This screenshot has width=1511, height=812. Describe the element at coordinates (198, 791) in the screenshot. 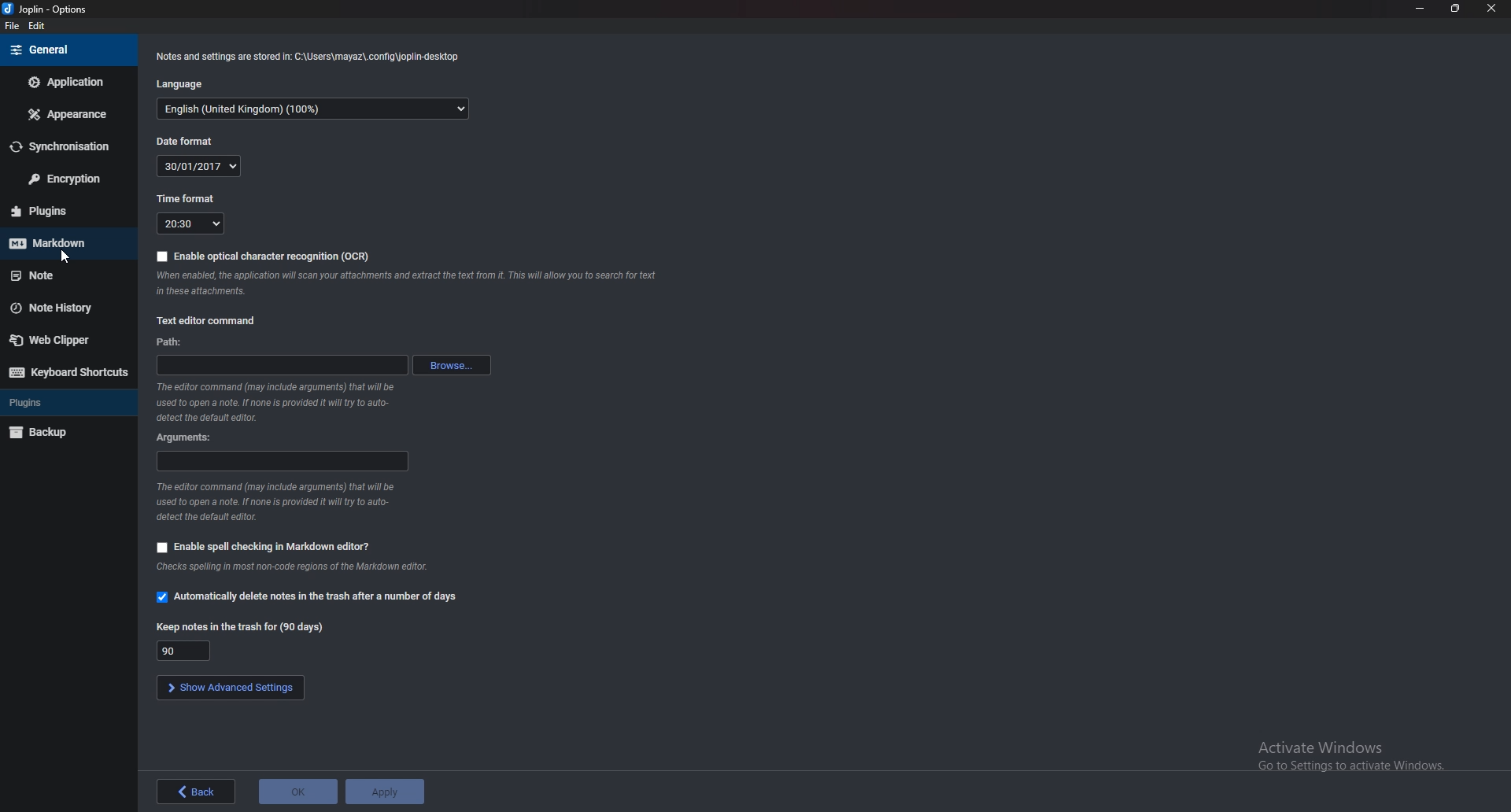

I see `back` at that location.